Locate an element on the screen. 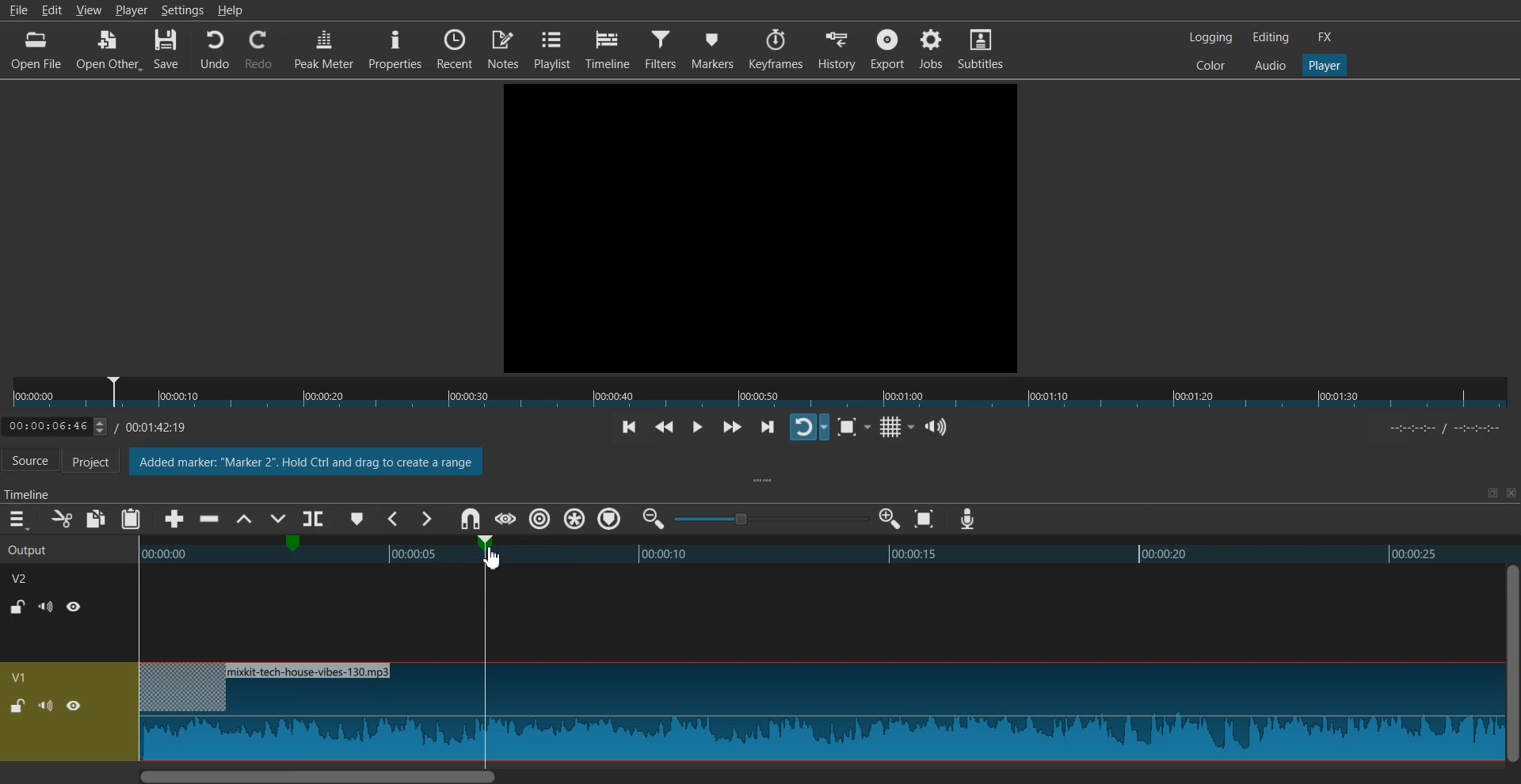 This screenshot has height=784, width=1521. Toggle grid display on the player is located at coordinates (894, 428).